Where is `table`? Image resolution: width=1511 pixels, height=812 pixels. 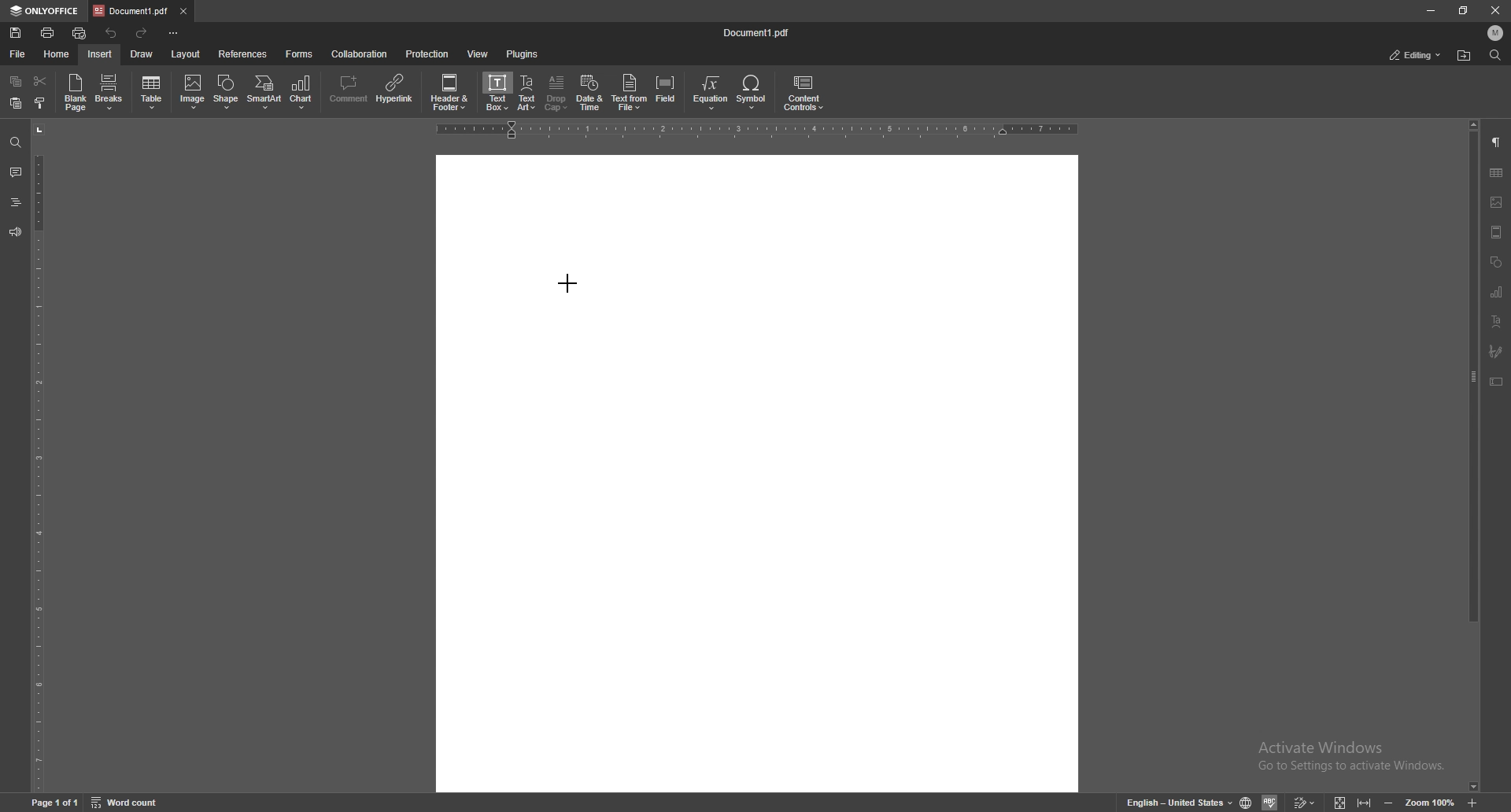
table is located at coordinates (153, 93).